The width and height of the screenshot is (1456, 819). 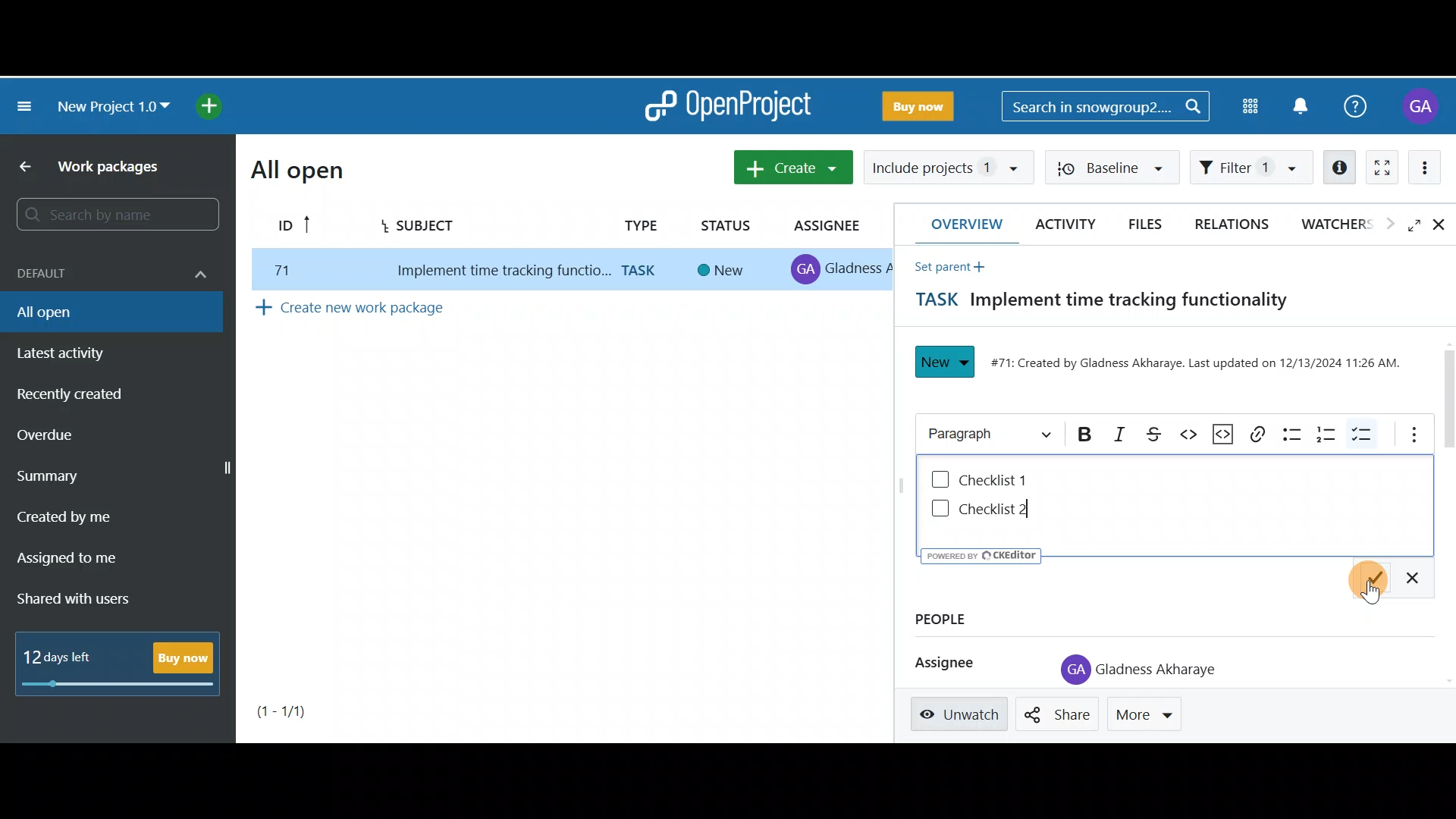 What do you see at coordinates (1062, 224) in the screenshot?
I see `Activity` at bounding box center [1062, 224].